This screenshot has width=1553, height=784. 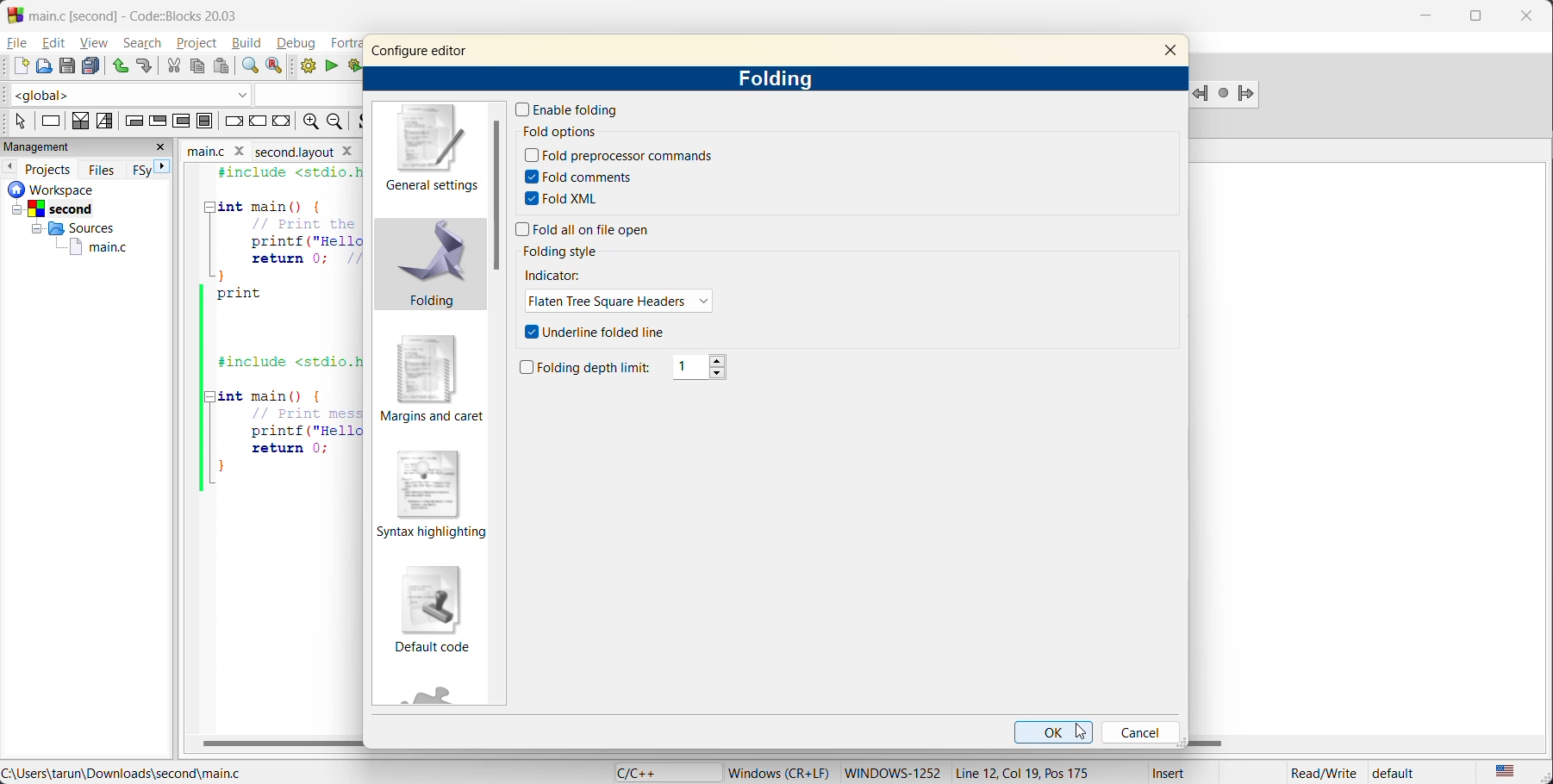 What do you see at coordinates (777, 769) in the screenshot?
I see `Windows (CR+LF)` at bounding box center [777, 769].